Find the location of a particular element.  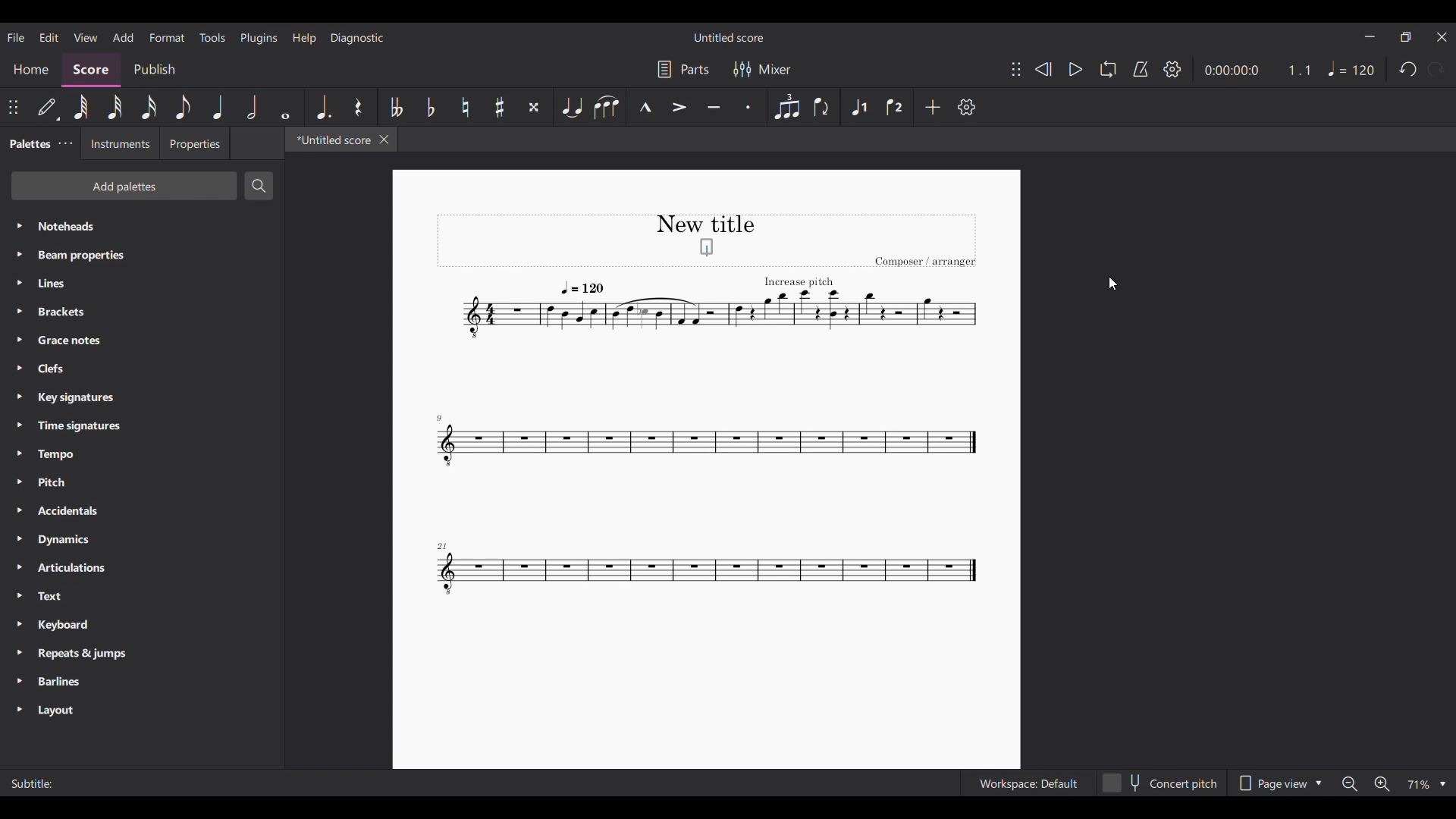

Publish section is located at coordinates (155, 70).